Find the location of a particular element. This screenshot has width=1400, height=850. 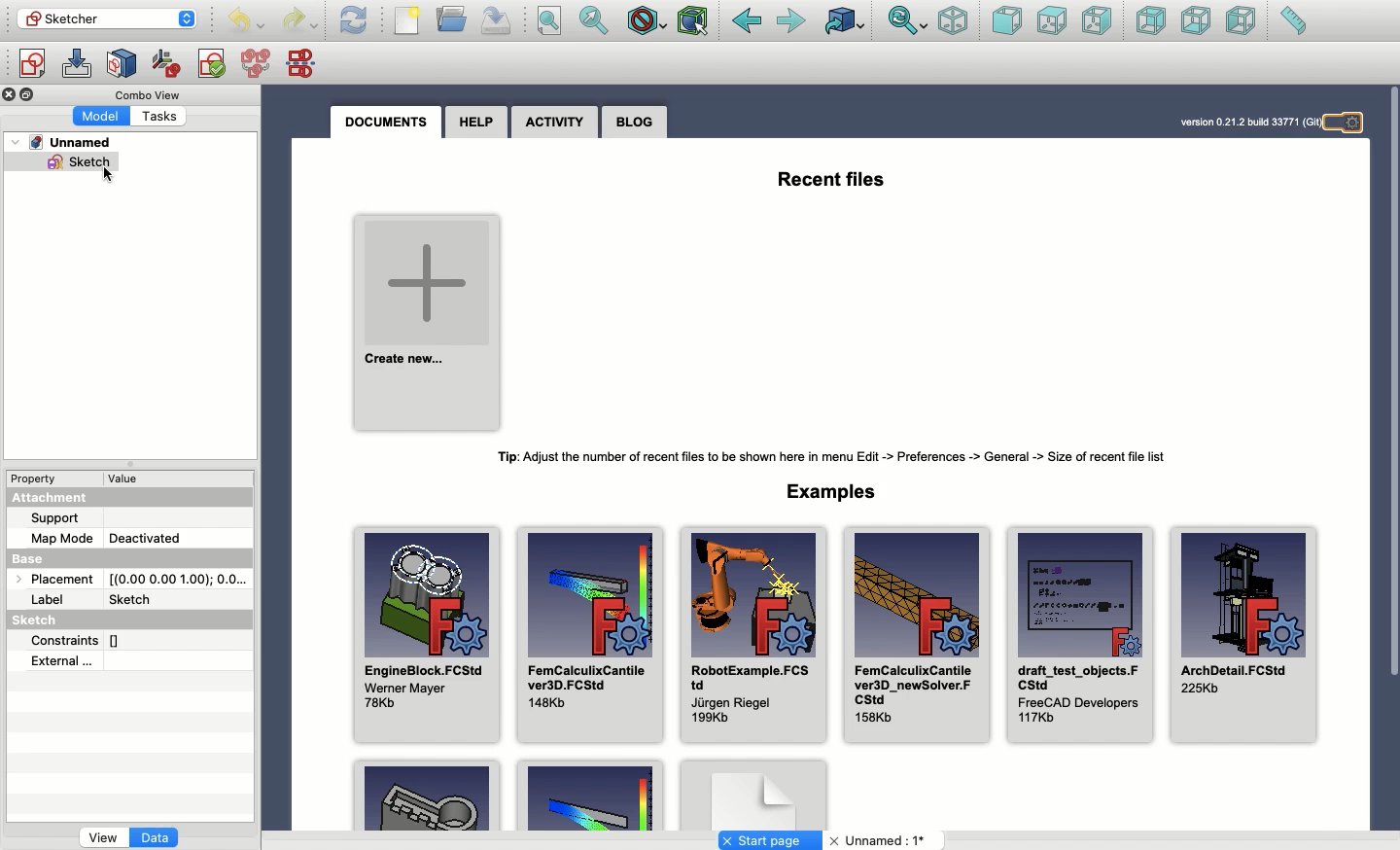

Constraints is located at coordinates (84, 639).